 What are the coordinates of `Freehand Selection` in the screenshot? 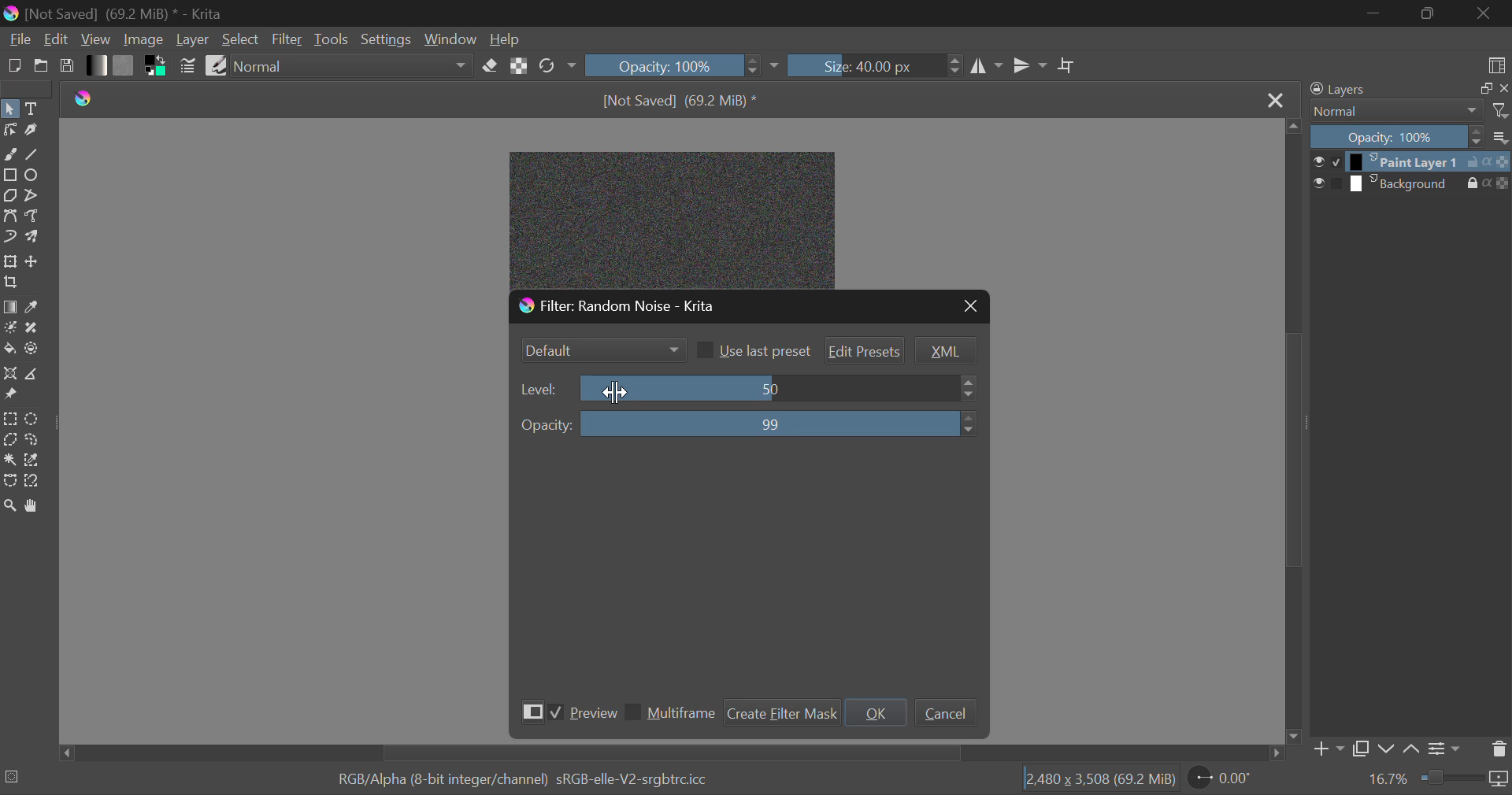 It's located at (34, 441).